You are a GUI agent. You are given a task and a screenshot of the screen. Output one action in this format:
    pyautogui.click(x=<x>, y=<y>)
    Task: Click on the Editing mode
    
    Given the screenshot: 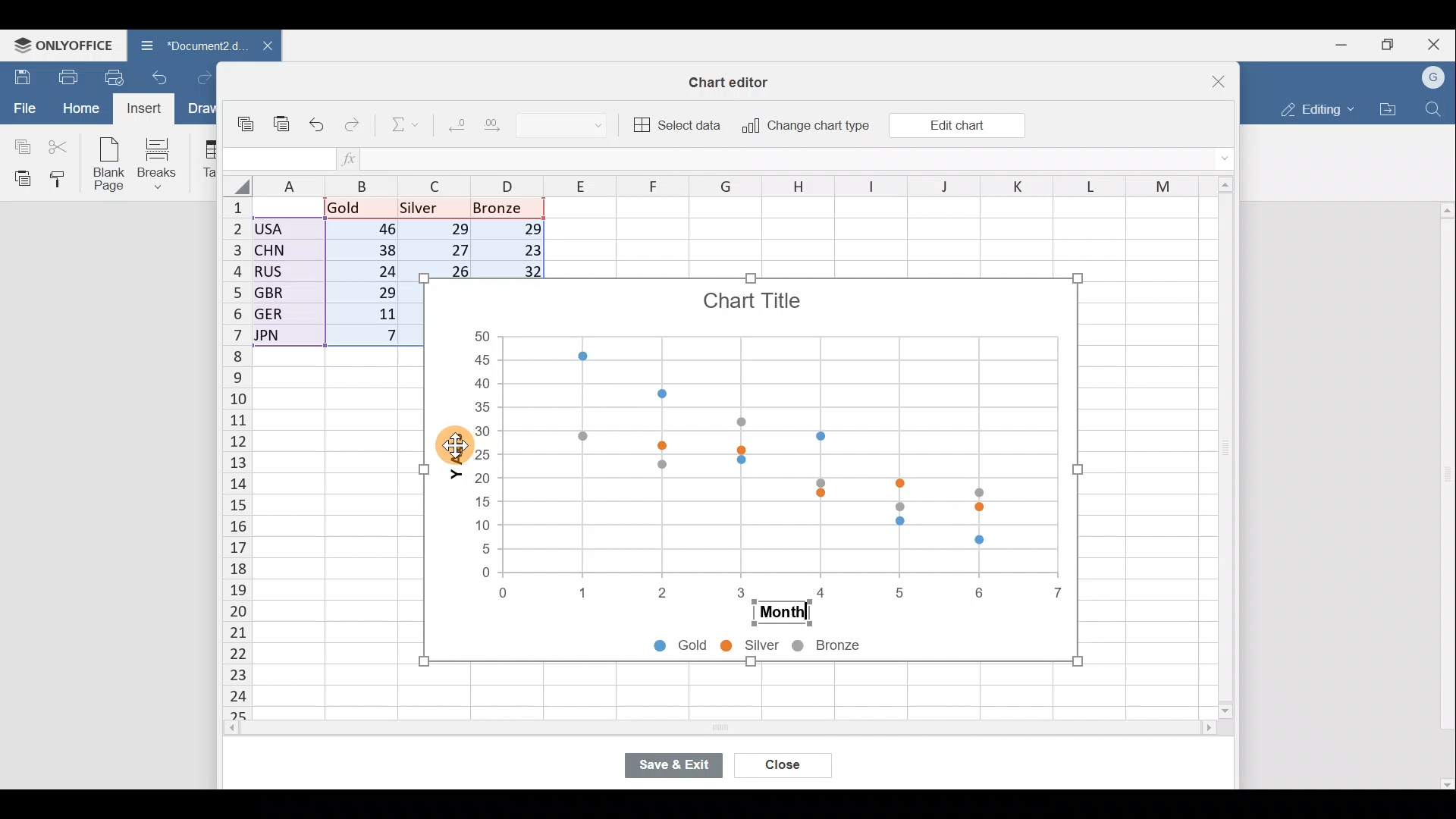 What is the action you would take?
    pyautogui.click(x=1313, y=109)
    